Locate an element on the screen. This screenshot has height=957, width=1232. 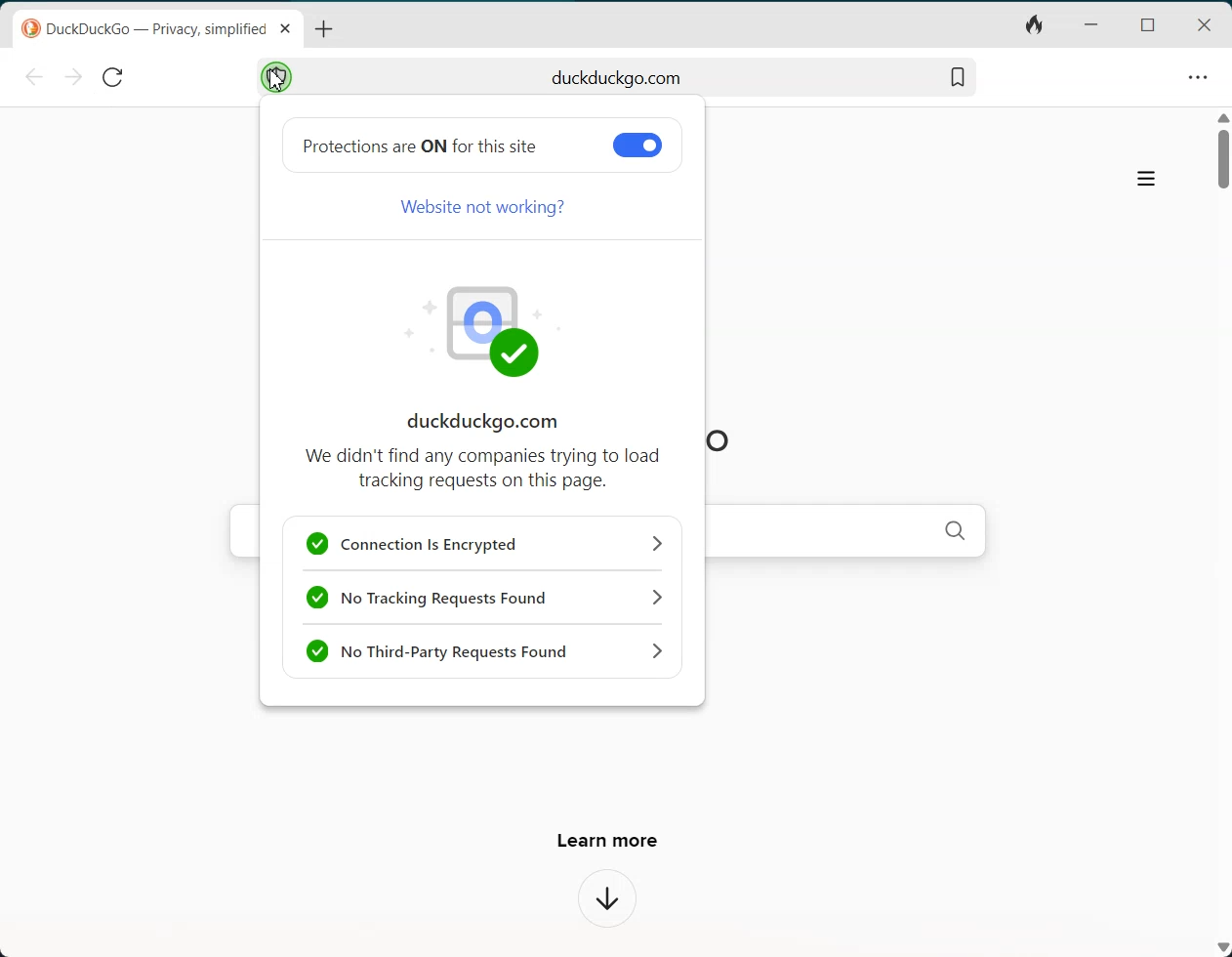
Connection is encrypted is located at coordinates (483, 543).